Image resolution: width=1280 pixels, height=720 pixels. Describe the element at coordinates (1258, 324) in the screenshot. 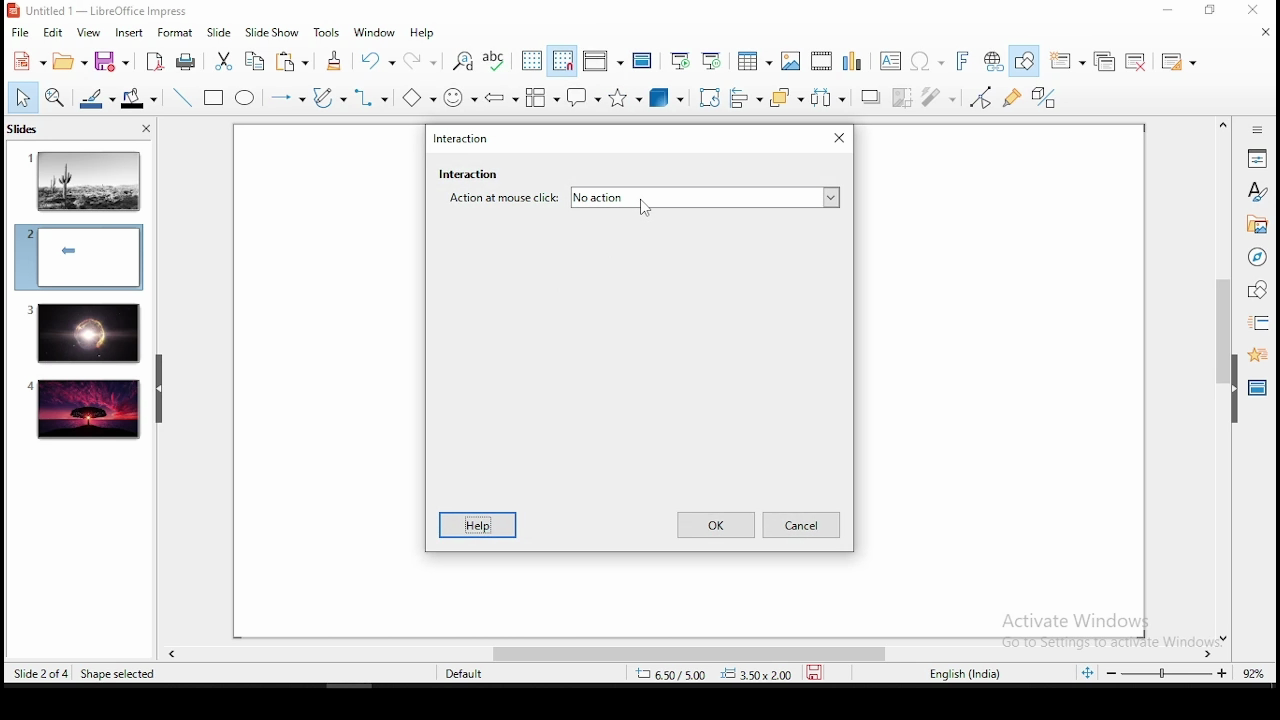

I see `slide transition` at that location.